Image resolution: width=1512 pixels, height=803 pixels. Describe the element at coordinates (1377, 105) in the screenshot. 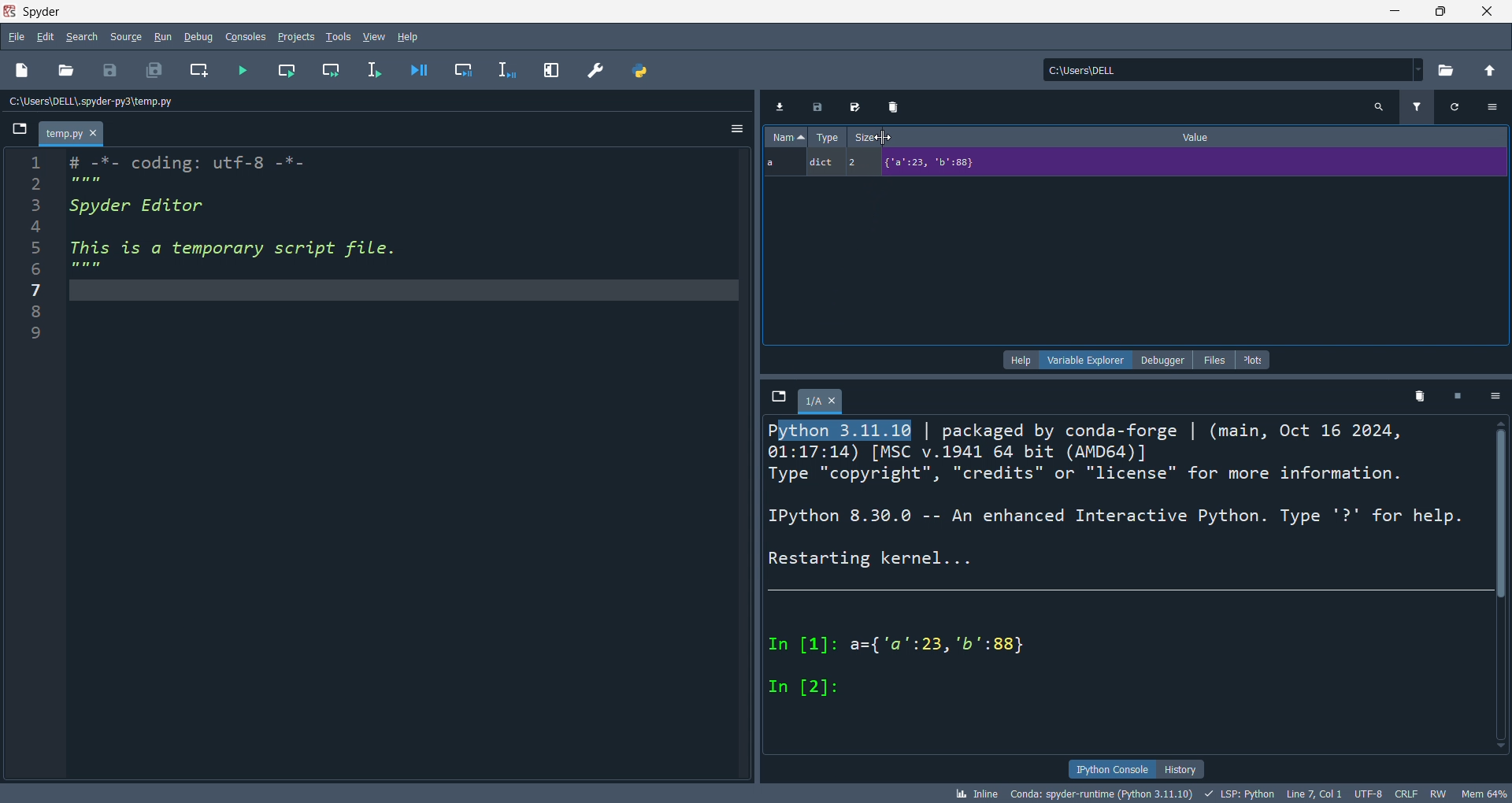

I see `search` at that location.